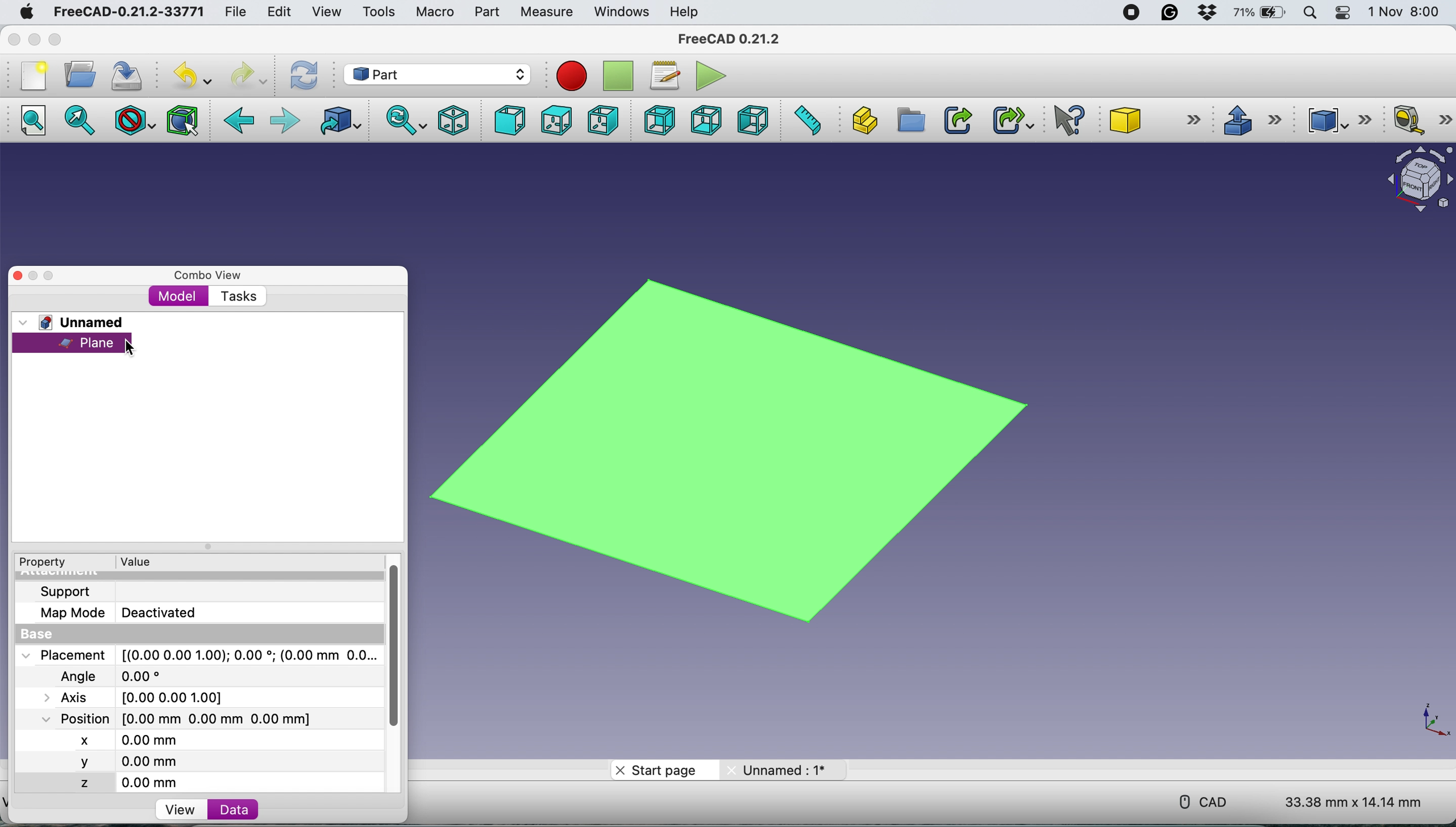 This screenshot has height=827, width=1456. What do you see at coordinates (113, 677) in the screenshot?
I see `Angle 0.00*` at bounding box center [113, 677].